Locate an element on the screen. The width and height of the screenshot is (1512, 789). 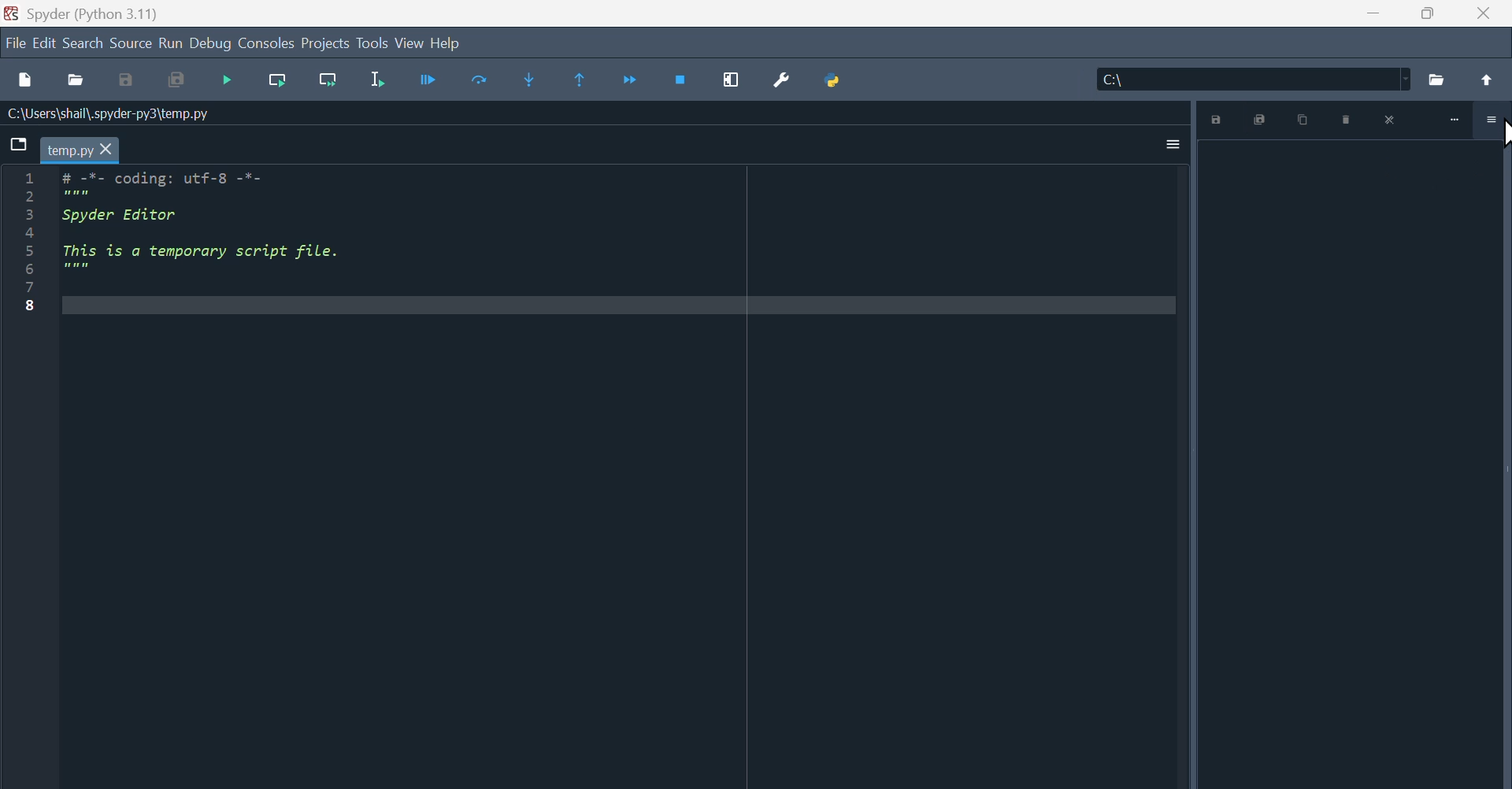
Stop debugging is located at coordinates (680, 80).